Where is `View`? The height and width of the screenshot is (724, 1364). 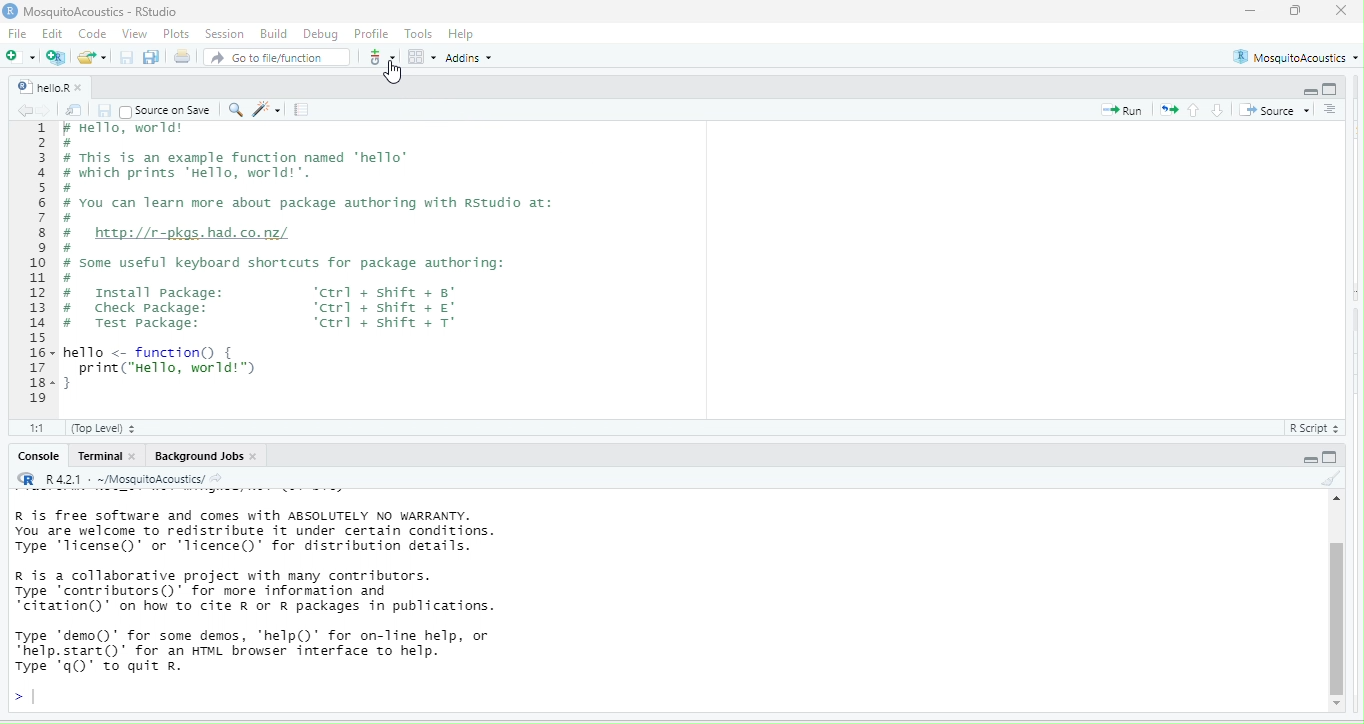 View is located at coordinates (130, 34).